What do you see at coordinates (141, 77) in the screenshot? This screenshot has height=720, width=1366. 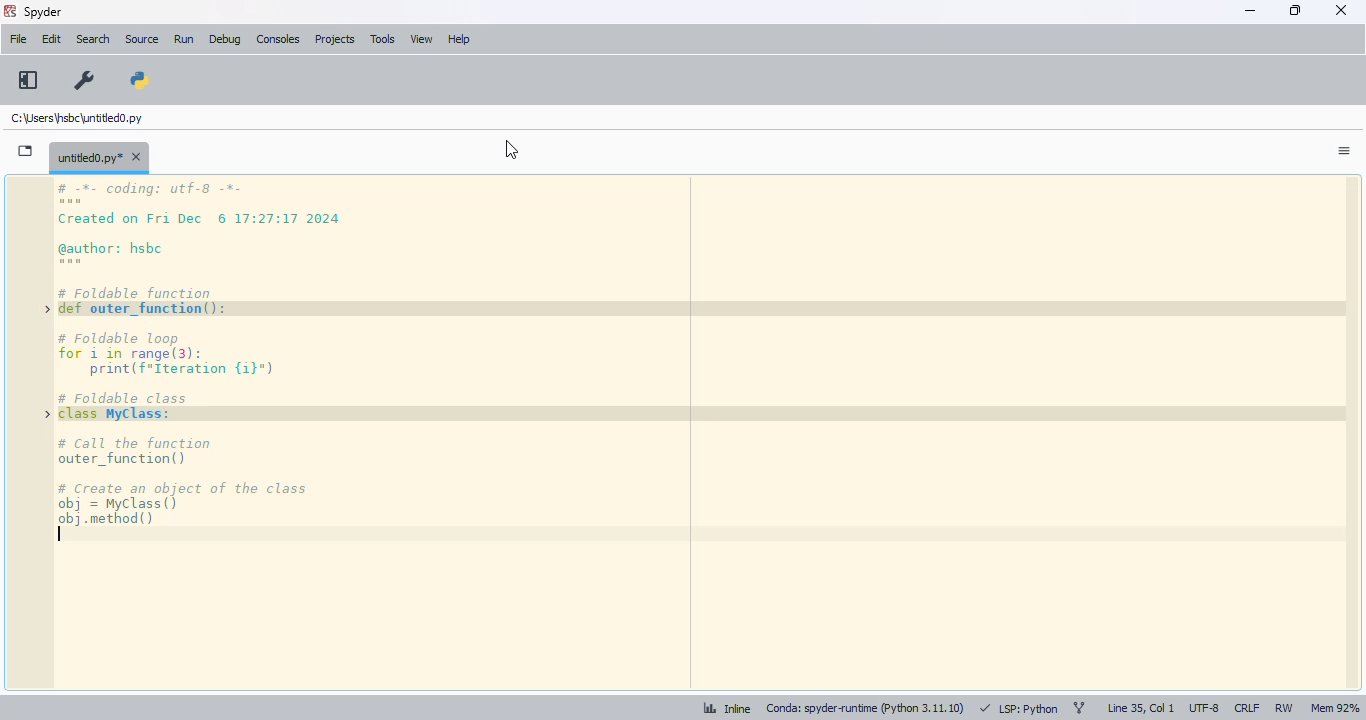 I see `PYTHONPATH manager` at bounding box center [141, 77].